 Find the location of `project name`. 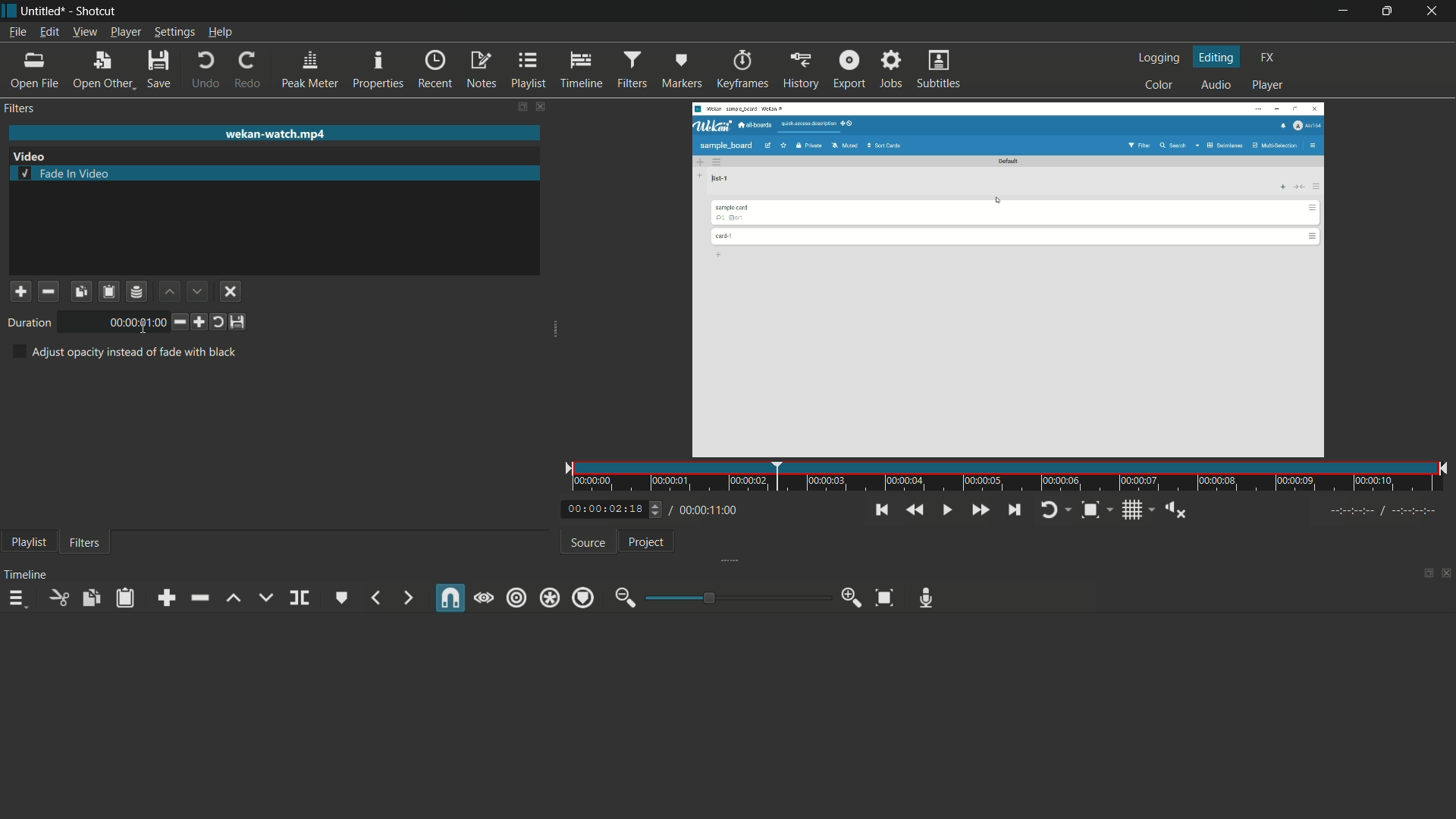

project name is located at coordinates (40, 11).